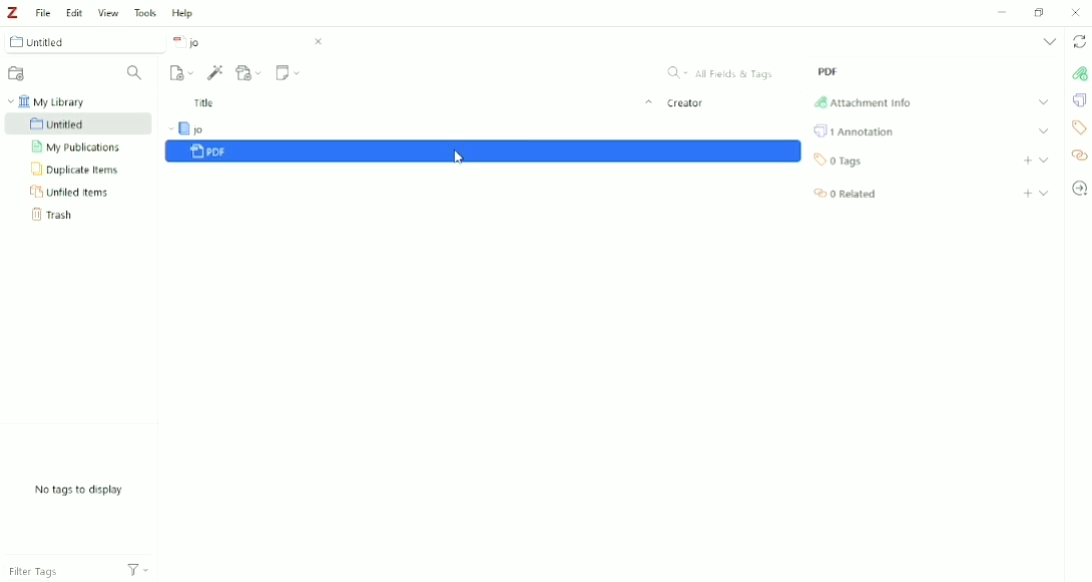 This screenshot has width=1092, height=582. Describe the element at coordinates (58, 215) in the screenshot. I see `Trash` at that location.